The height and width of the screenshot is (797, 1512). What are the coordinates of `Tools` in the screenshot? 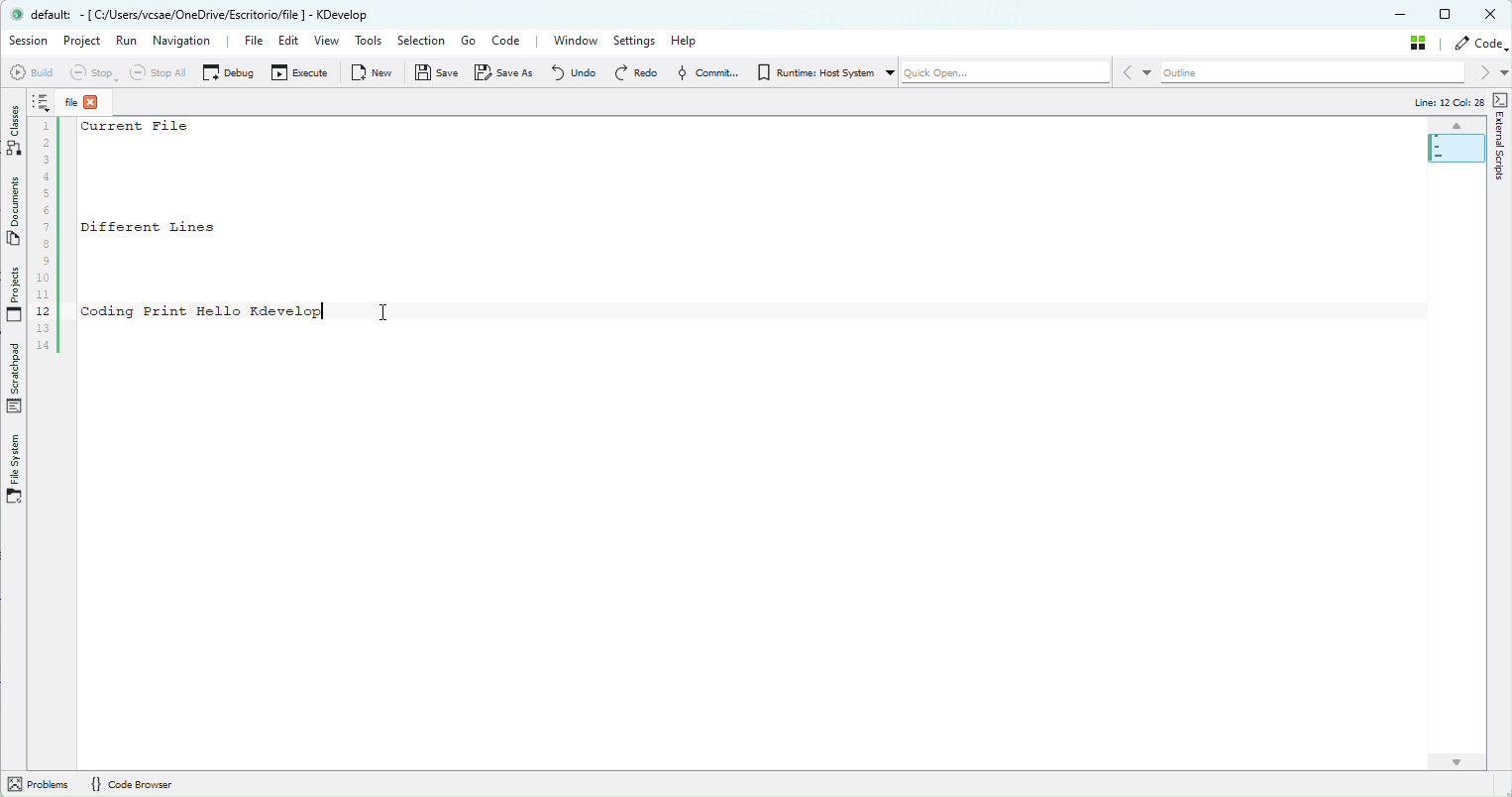 It's located at (370, 42).